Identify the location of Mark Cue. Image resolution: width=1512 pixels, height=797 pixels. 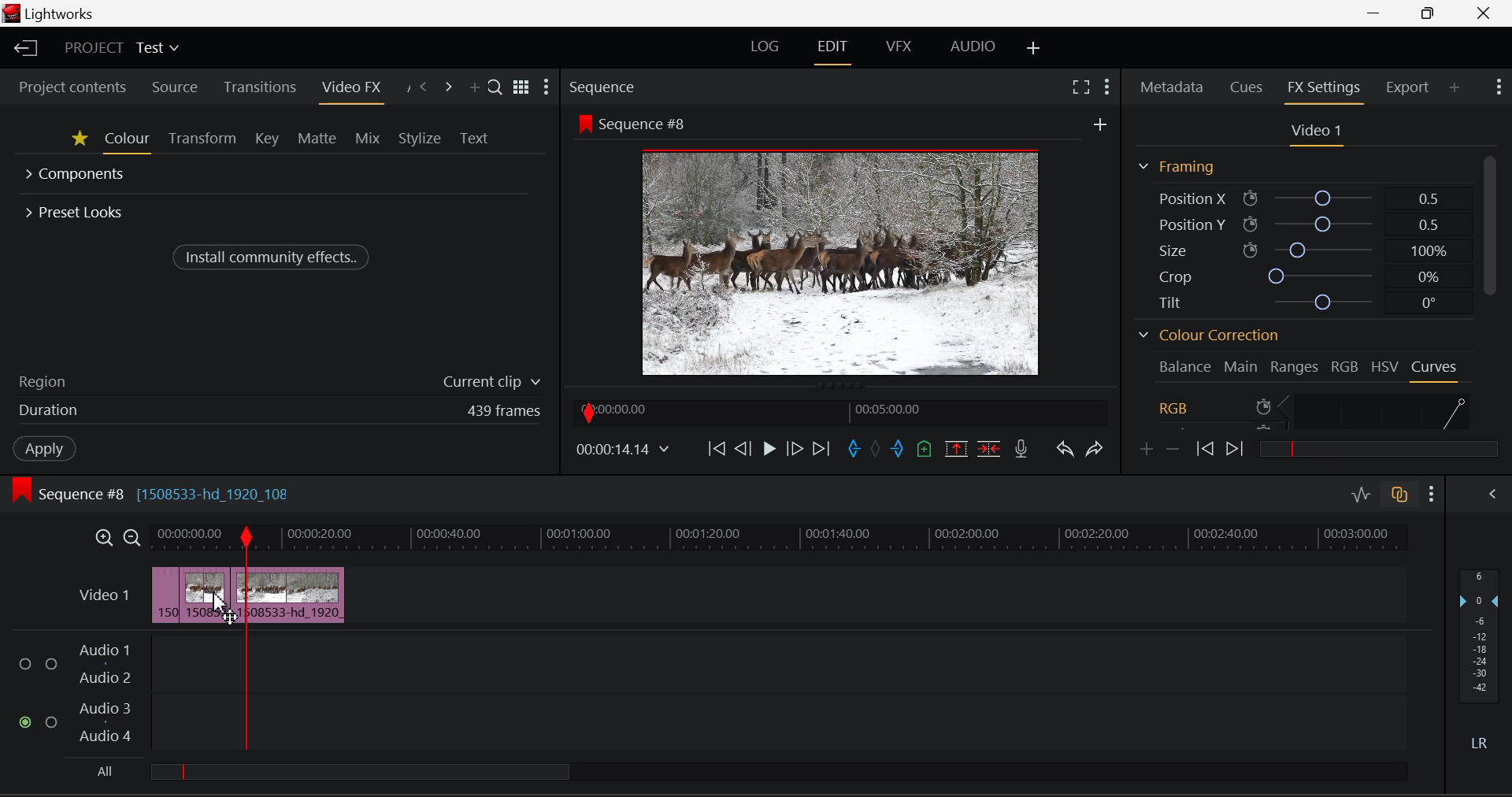
(922, 451).